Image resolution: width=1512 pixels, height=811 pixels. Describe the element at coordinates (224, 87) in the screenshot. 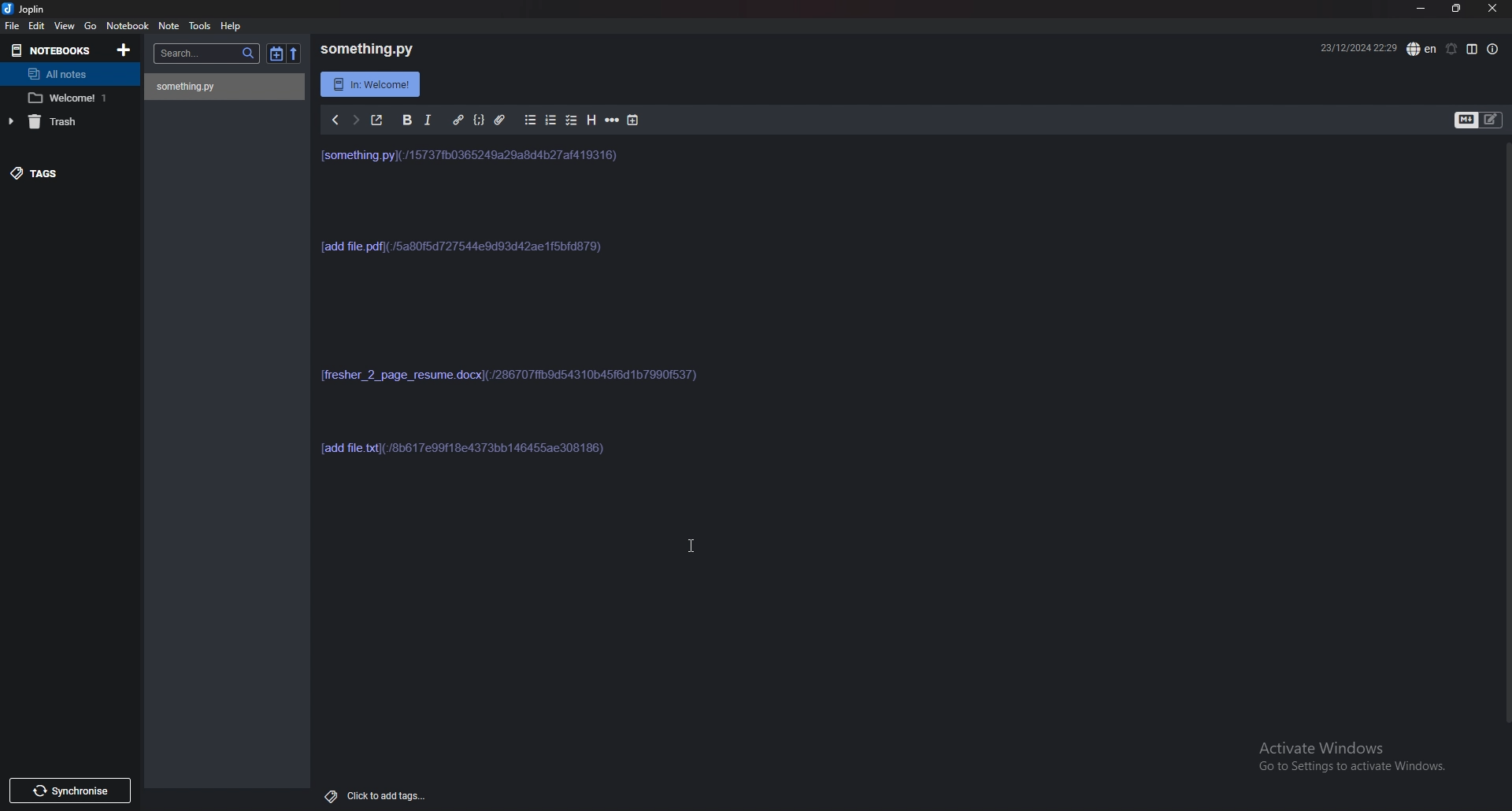

I see `something.py` at that location.